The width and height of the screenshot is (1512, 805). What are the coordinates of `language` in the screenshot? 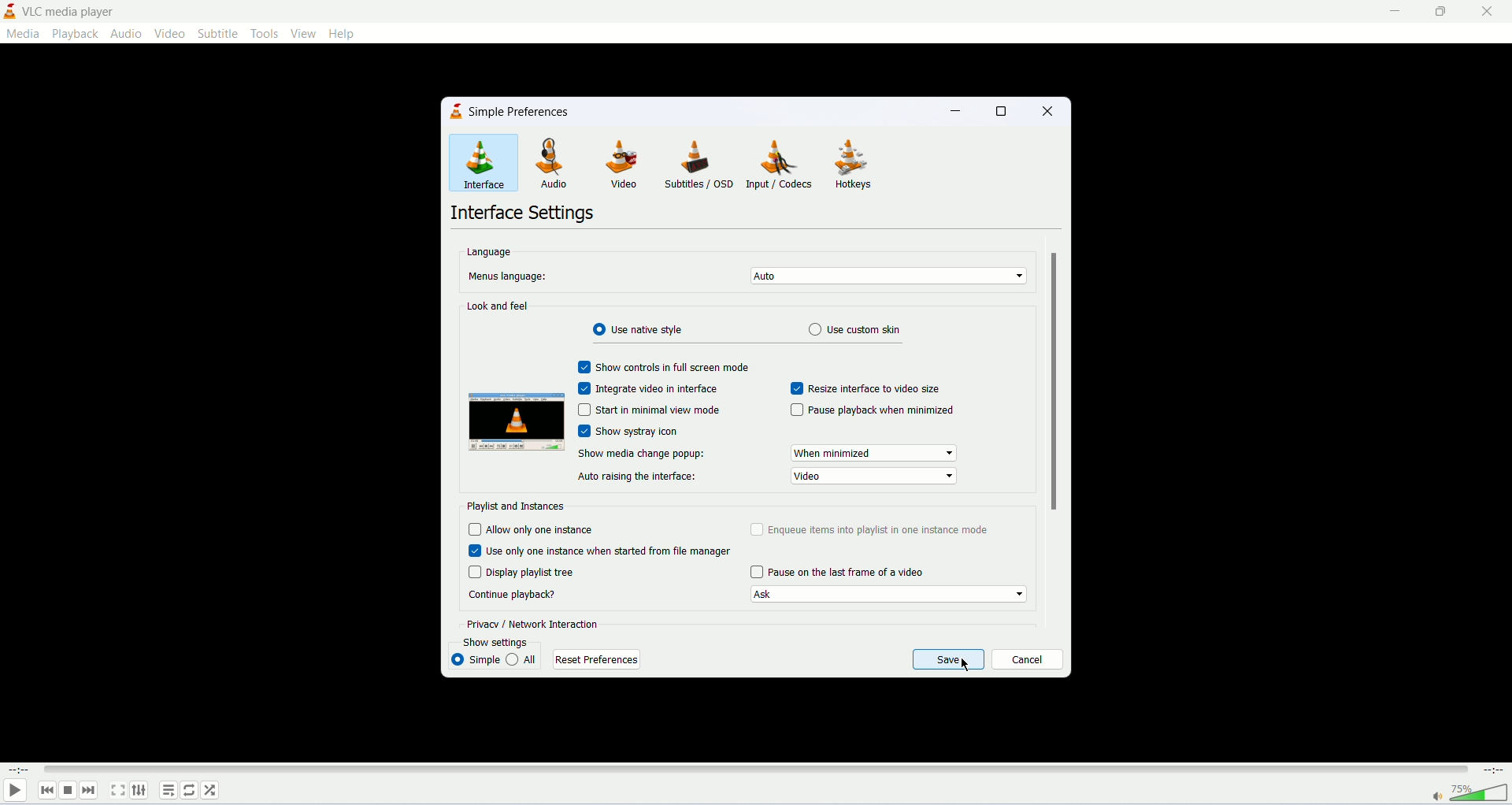 It's located at (490, 252).